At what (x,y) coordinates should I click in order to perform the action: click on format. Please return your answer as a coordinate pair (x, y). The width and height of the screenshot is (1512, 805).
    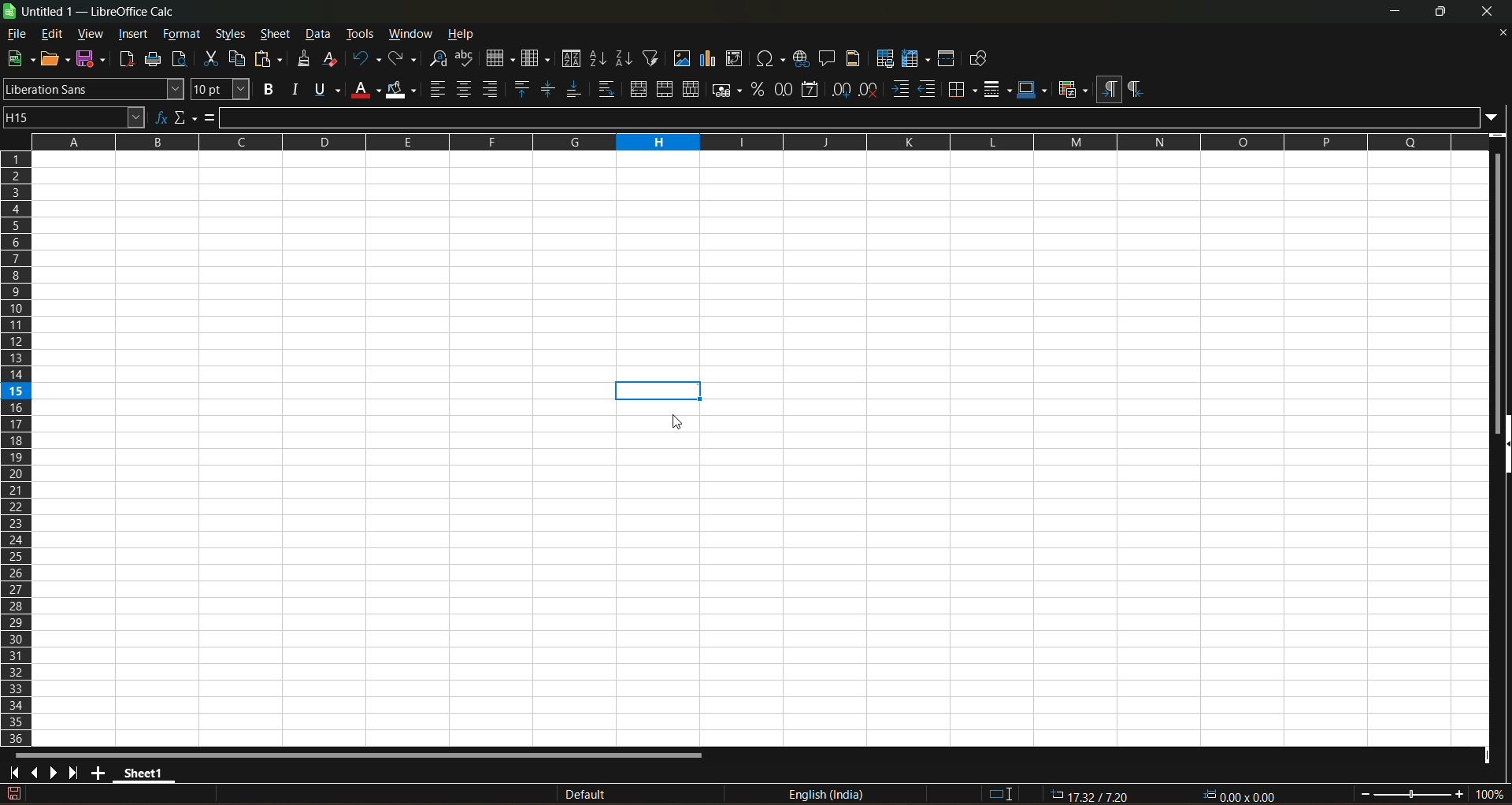
    Looking at the image, I should click on (184, 35).